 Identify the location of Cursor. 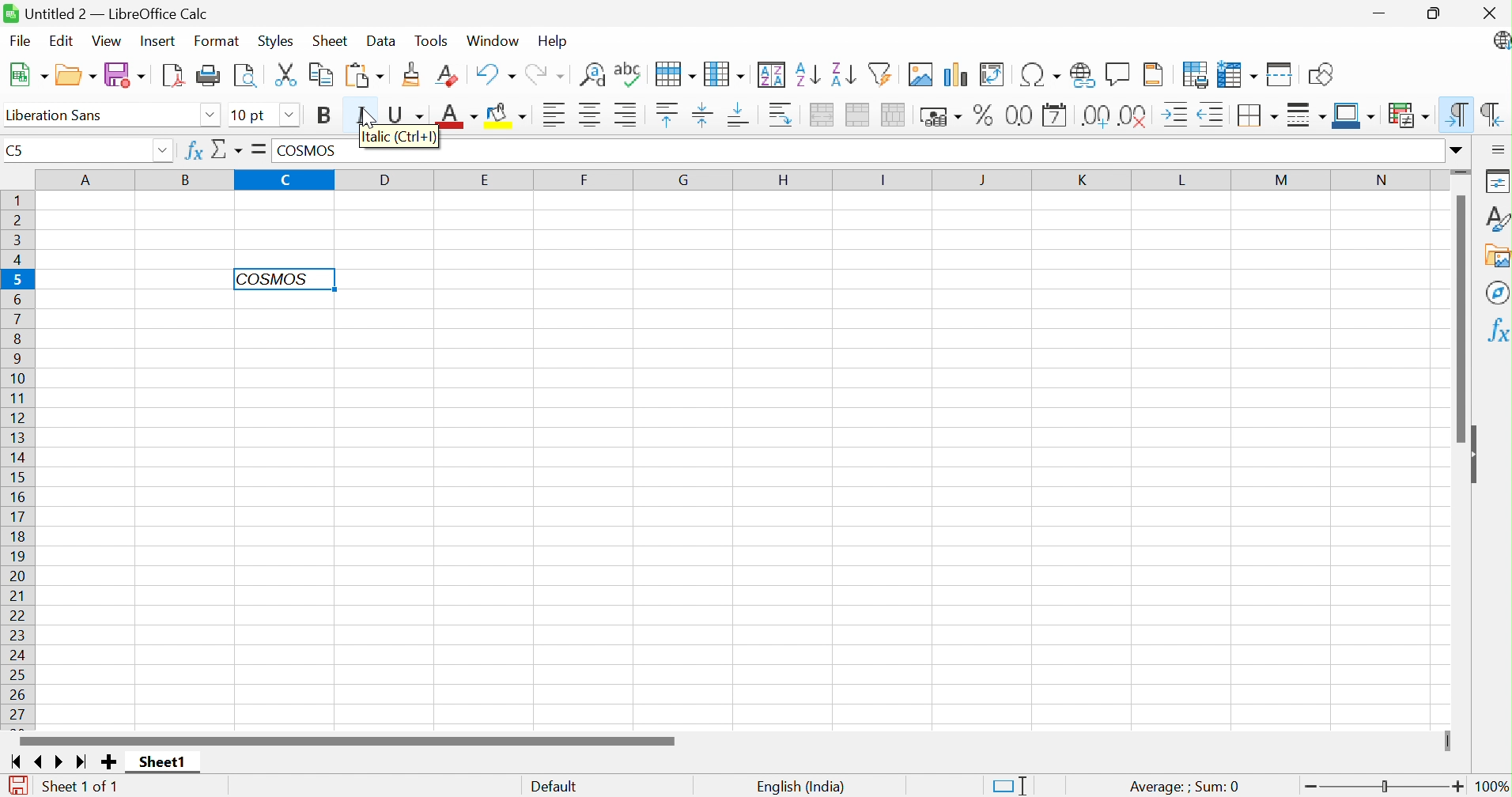
(371, 119).